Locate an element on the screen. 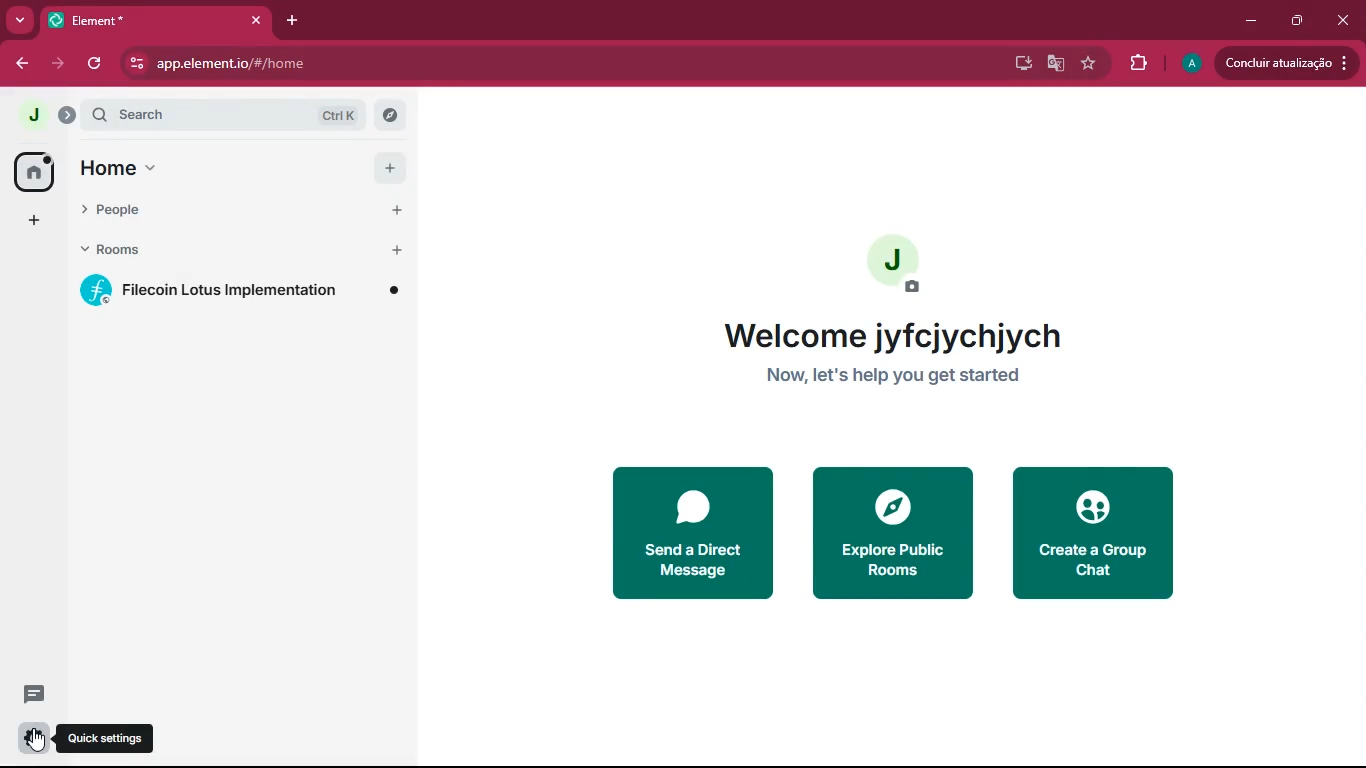  Cursor is located at coordinates (39, 741).